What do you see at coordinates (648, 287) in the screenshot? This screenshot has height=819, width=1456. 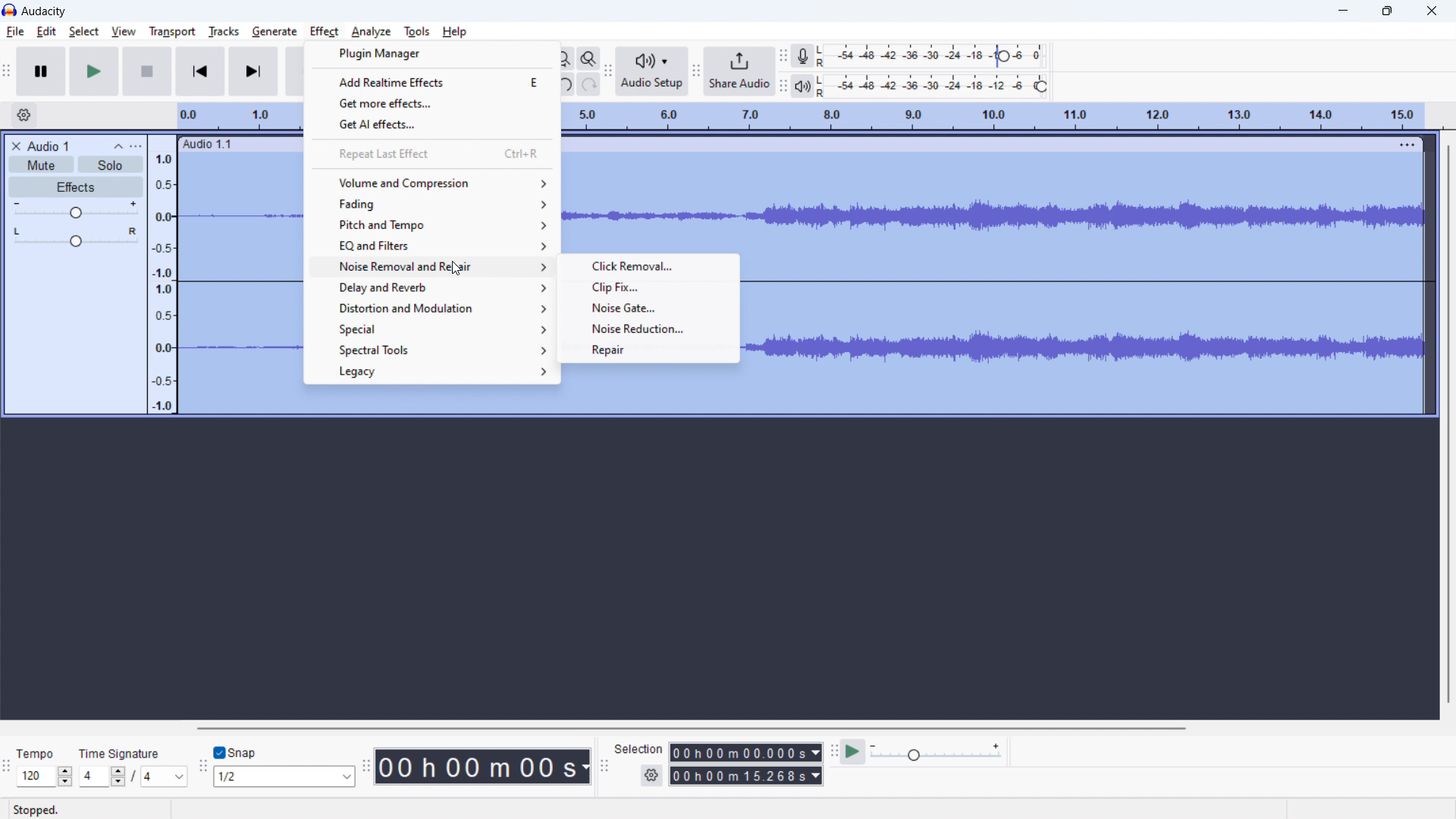 I see `clip fix` at bounding box center [648, 287].